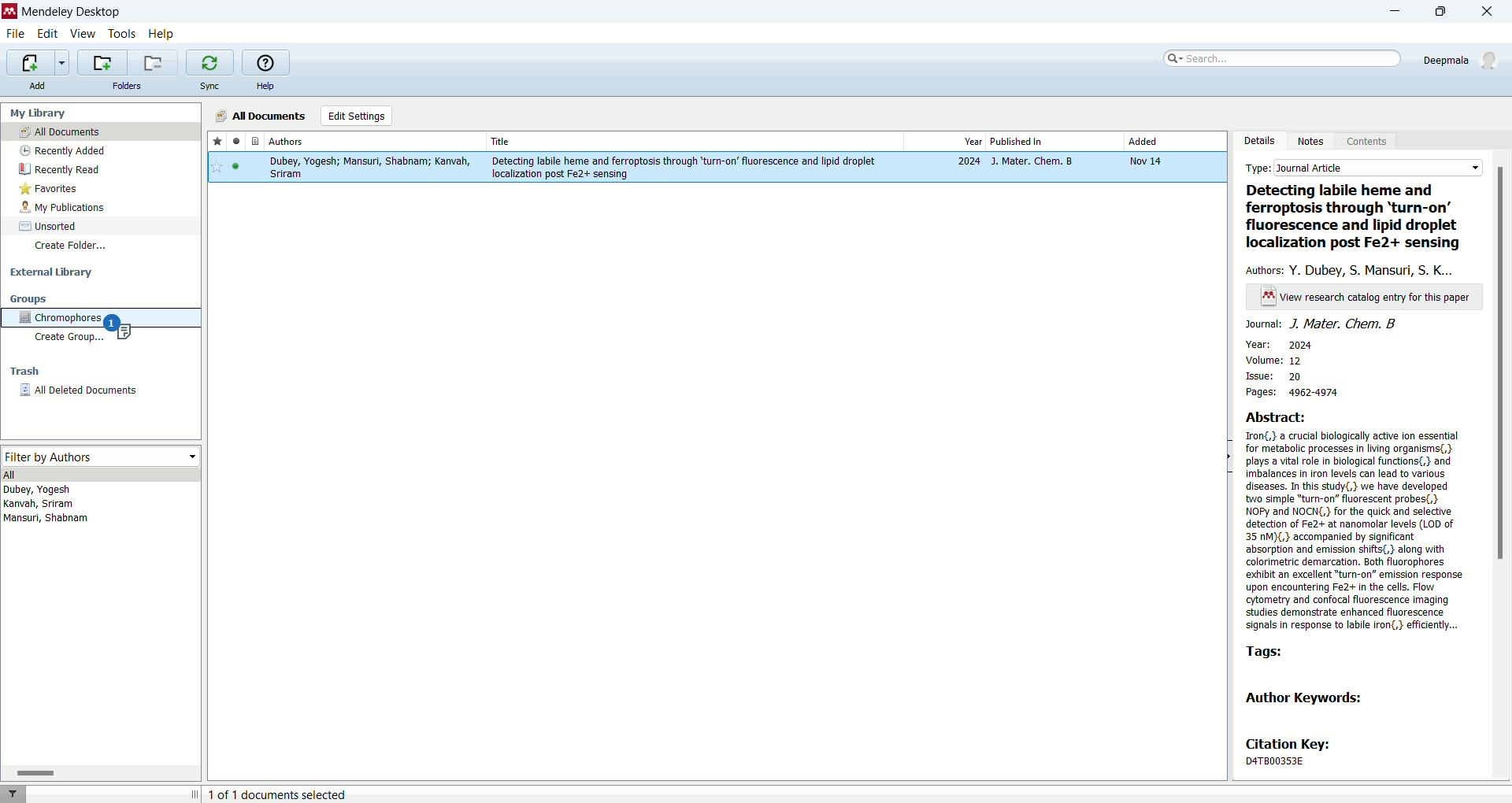  I want to click on recently read, so click(60, 171).